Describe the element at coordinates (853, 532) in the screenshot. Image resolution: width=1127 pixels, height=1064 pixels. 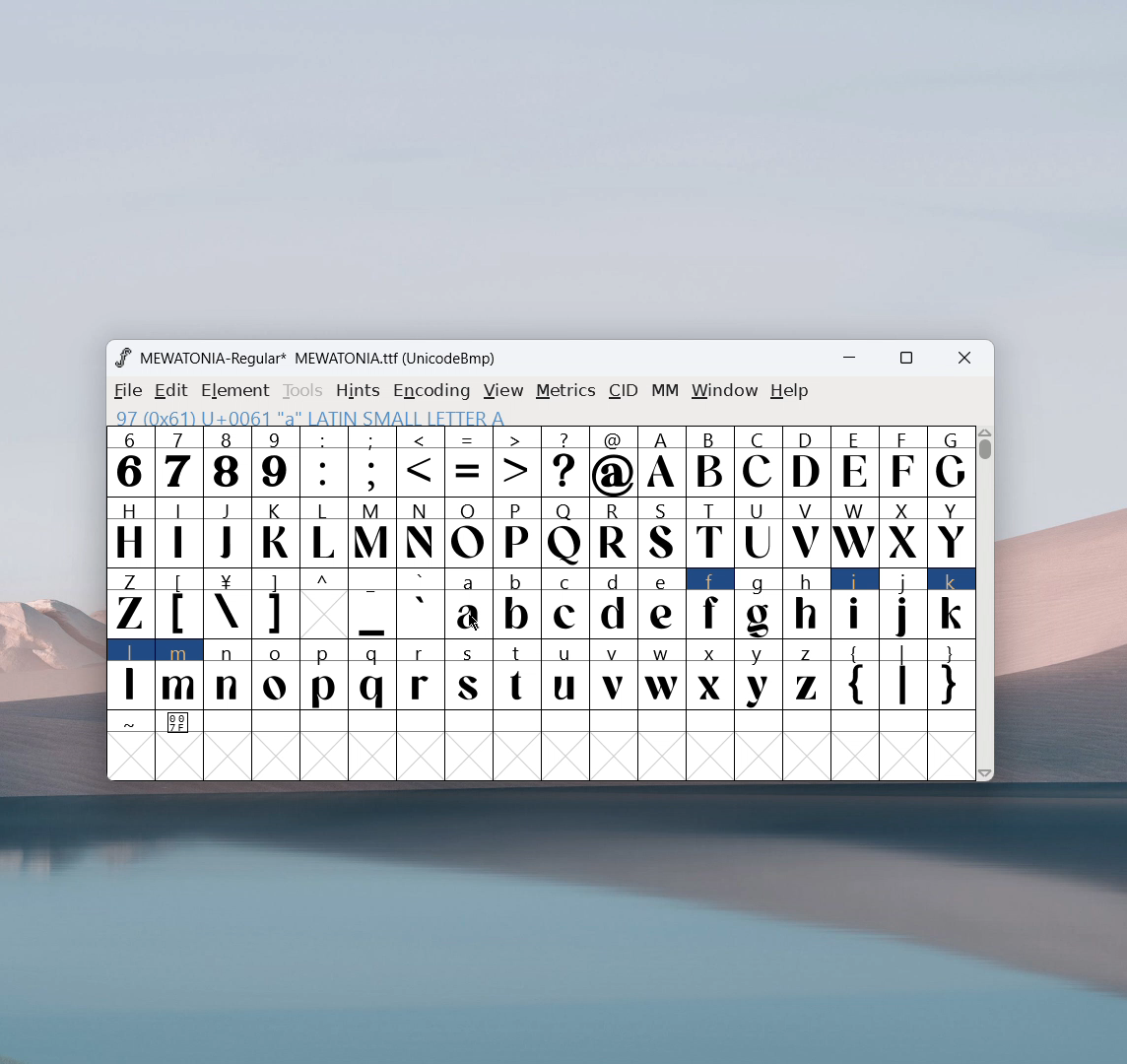
I see `W` at that location.